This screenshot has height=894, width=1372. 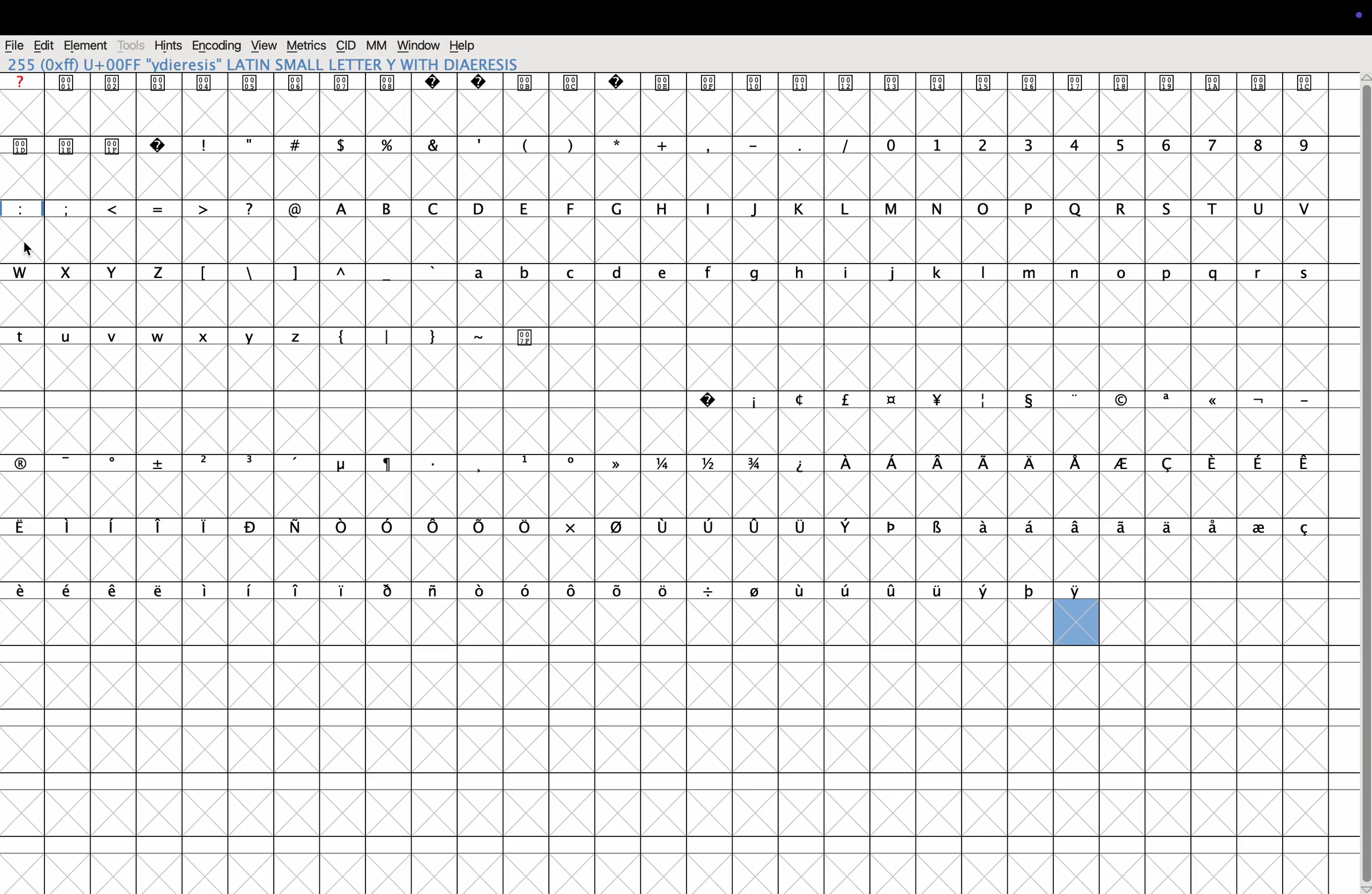 I want to click on mm, so click(x=378, y=46).